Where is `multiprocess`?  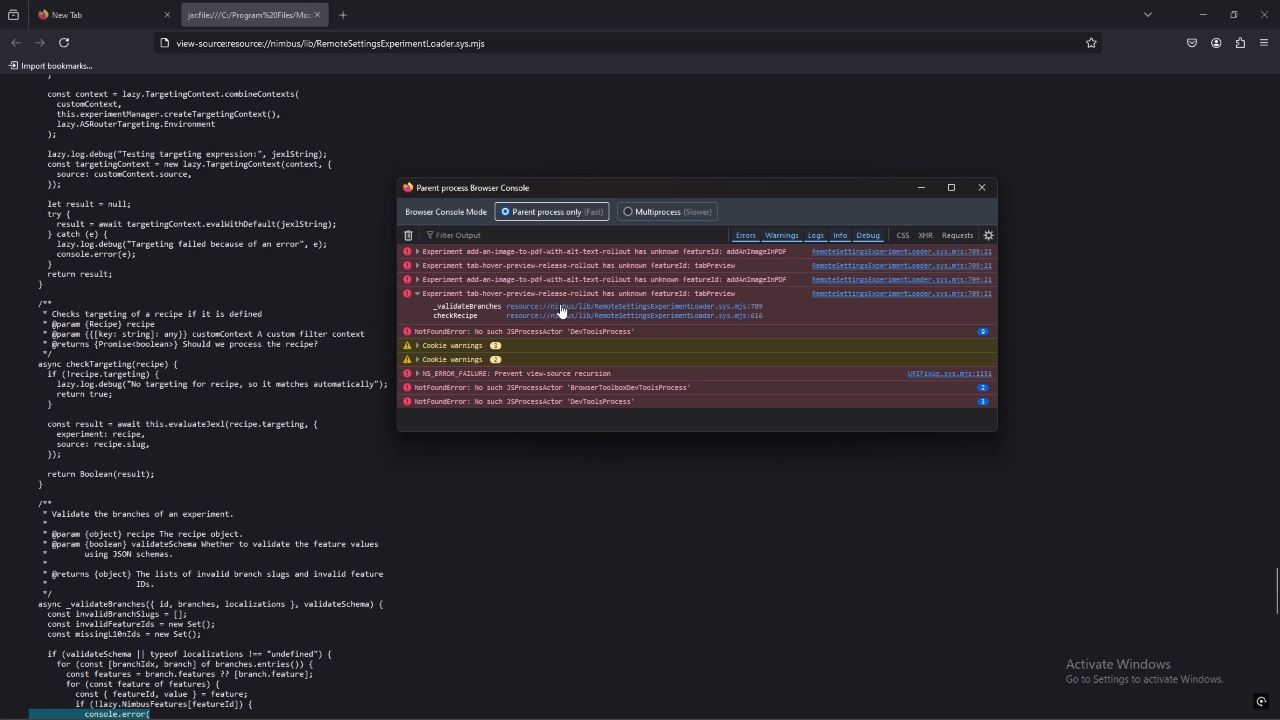
multiprocess is located at coordinates (670, 211).